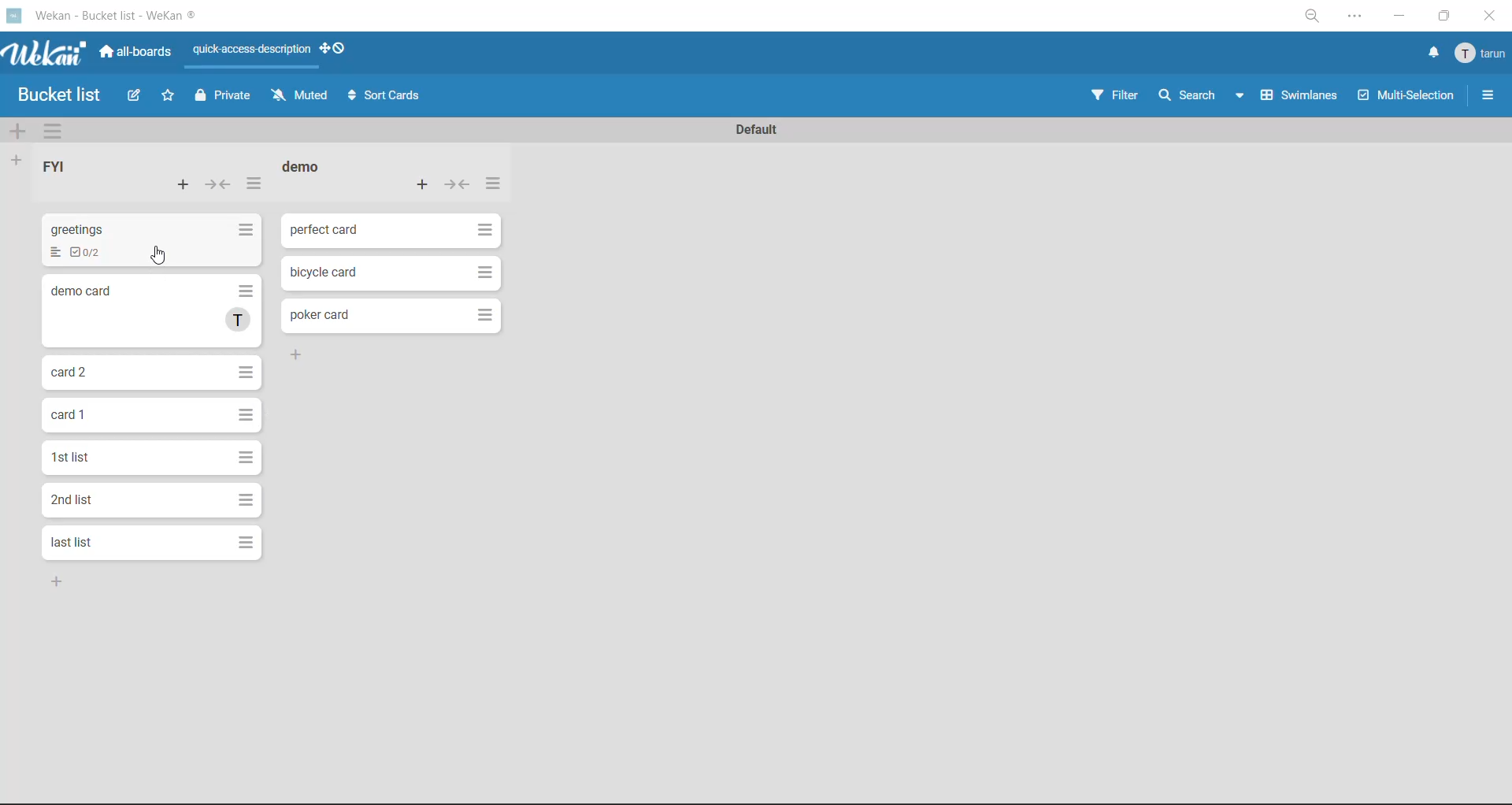 The width and height of the screenshot is (1512, 805). Describe the element at coordinates (180, 183) in the screenshot. I see `add card` at that location.